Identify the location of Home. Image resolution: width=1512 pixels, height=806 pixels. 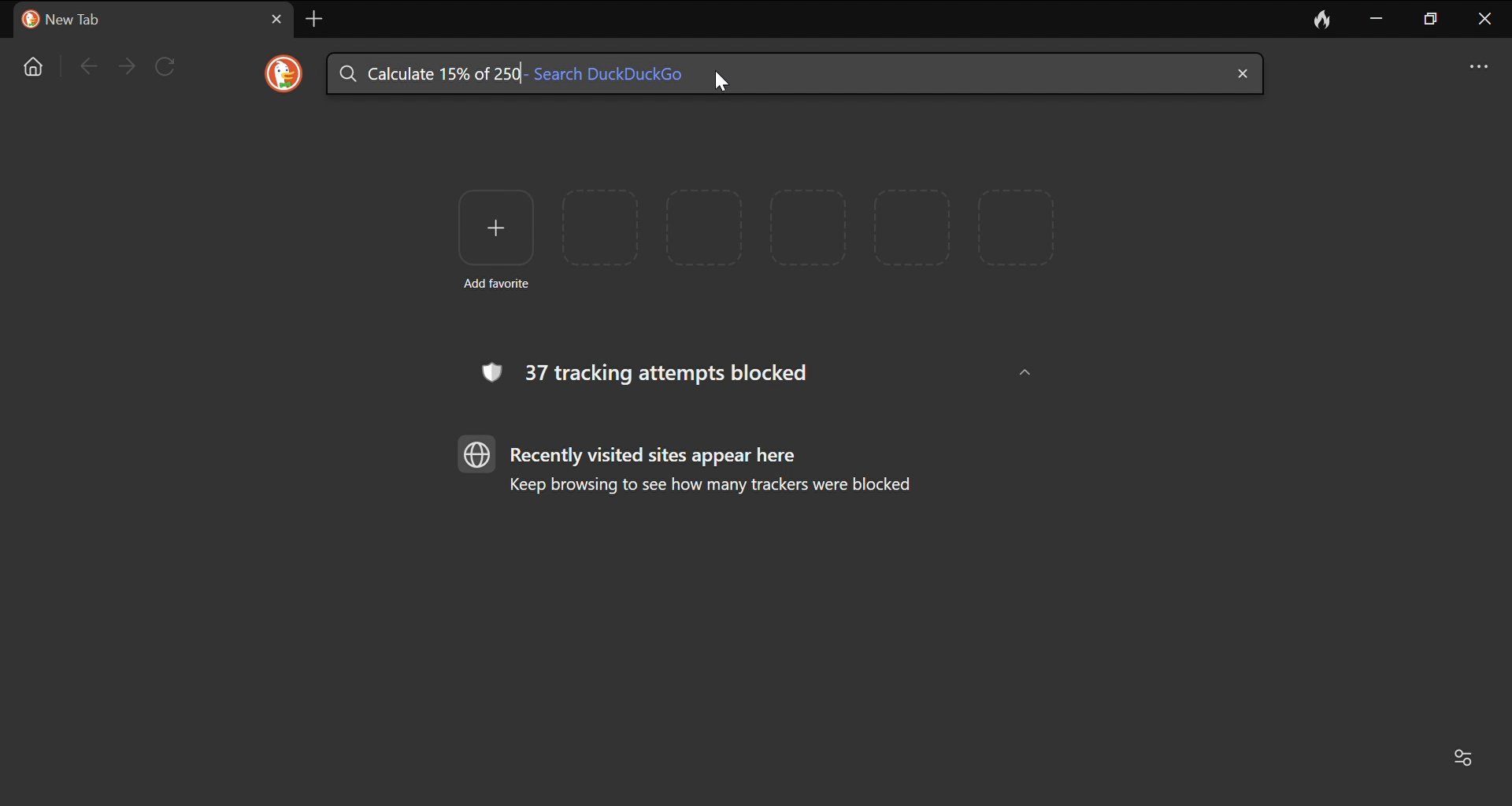
(35, 67).